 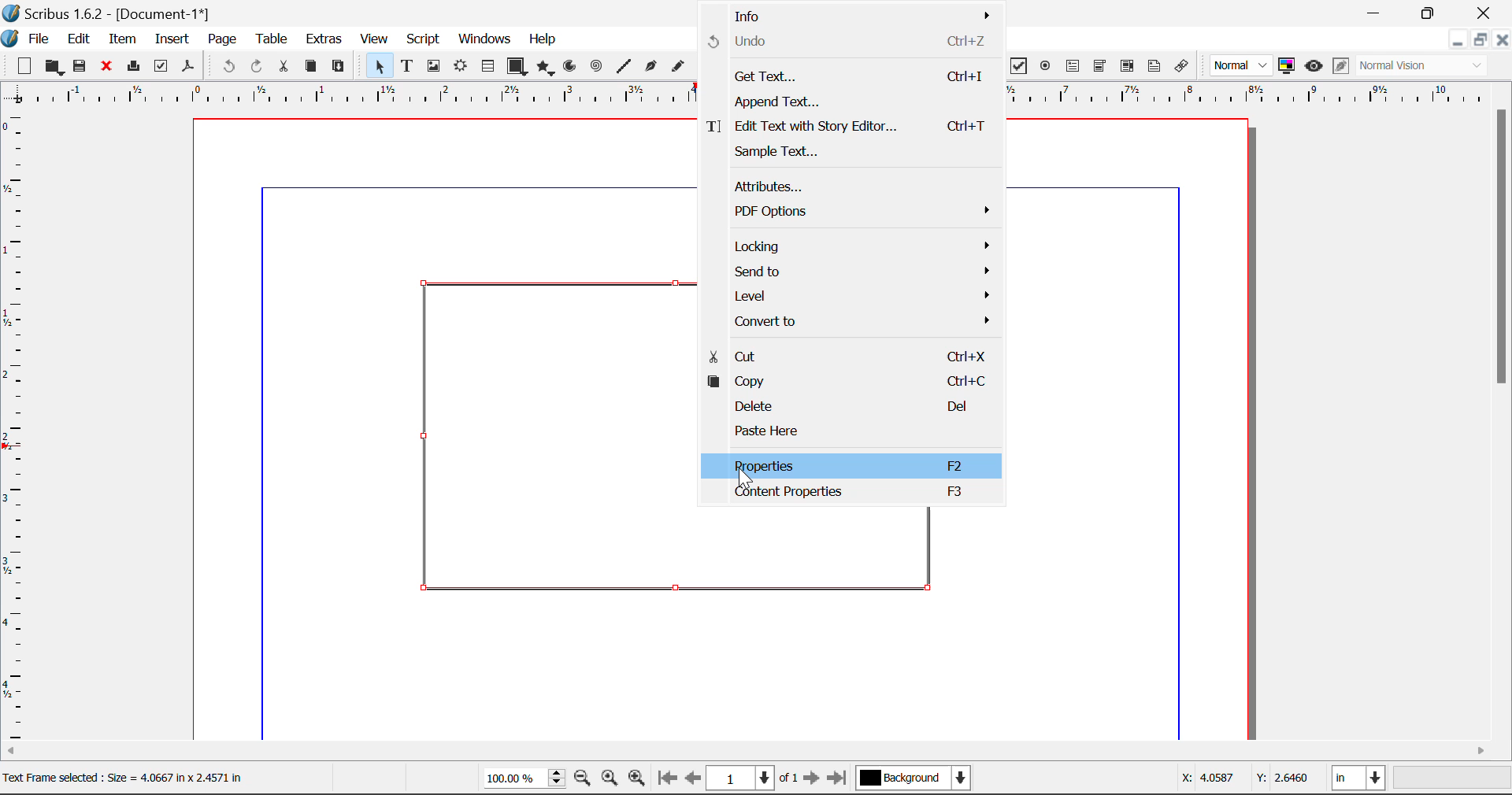 I want to click on Zoom Out, so click(x=584, y=780).